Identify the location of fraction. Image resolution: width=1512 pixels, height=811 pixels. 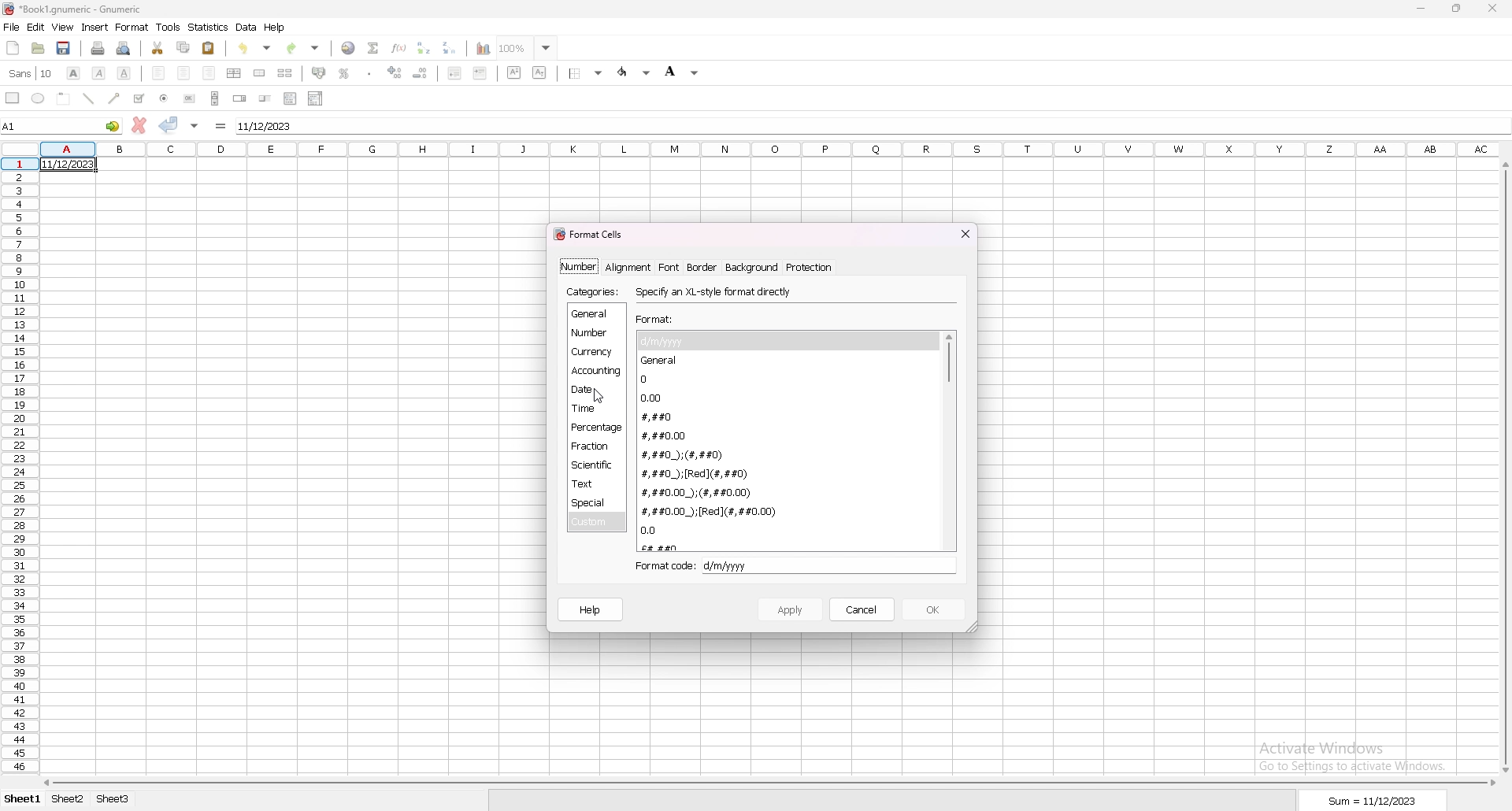
(593, 446).